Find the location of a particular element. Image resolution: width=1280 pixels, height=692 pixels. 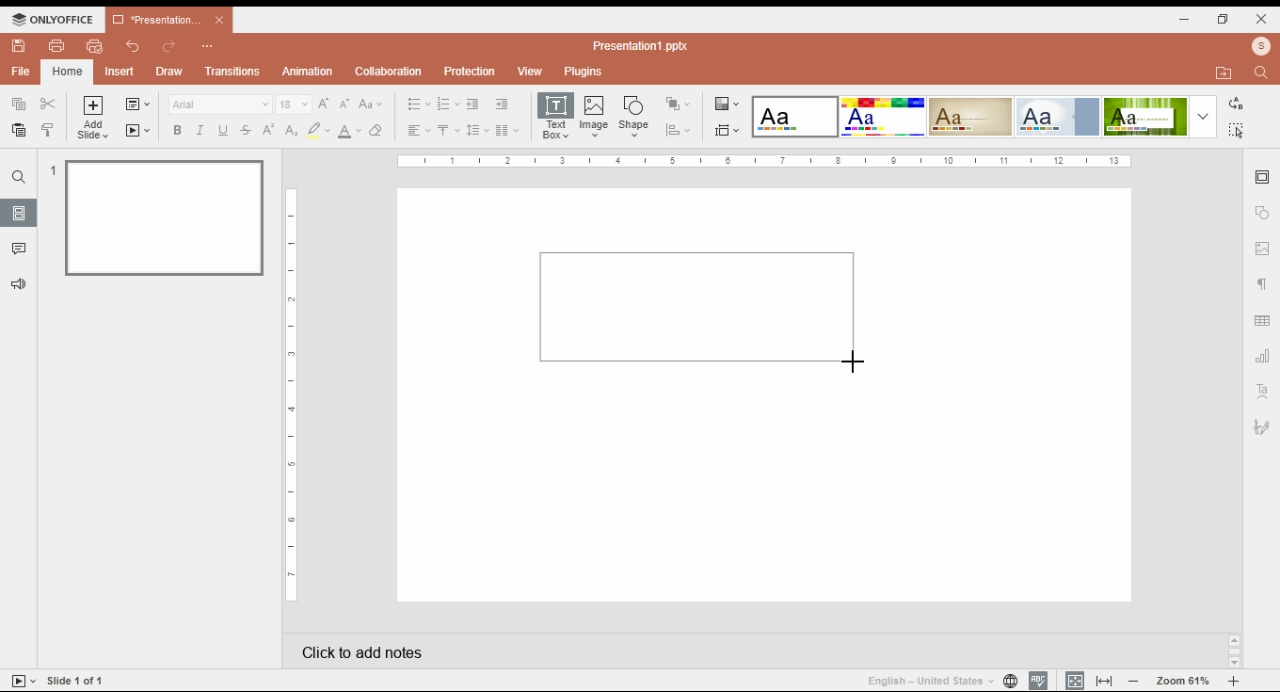

animation is located at coordinates (306, 71).